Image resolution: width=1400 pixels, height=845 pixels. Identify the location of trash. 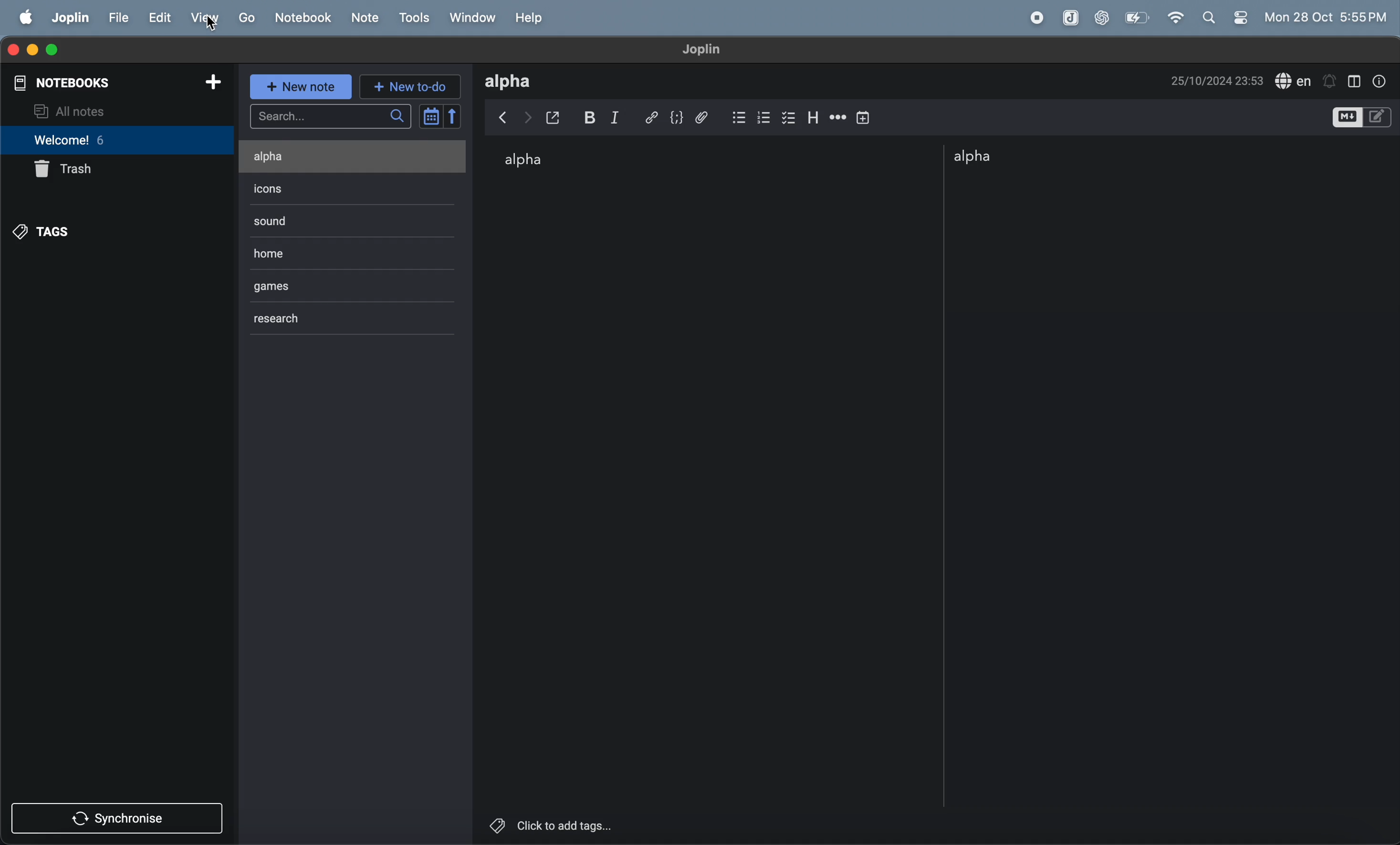
(69, 170).